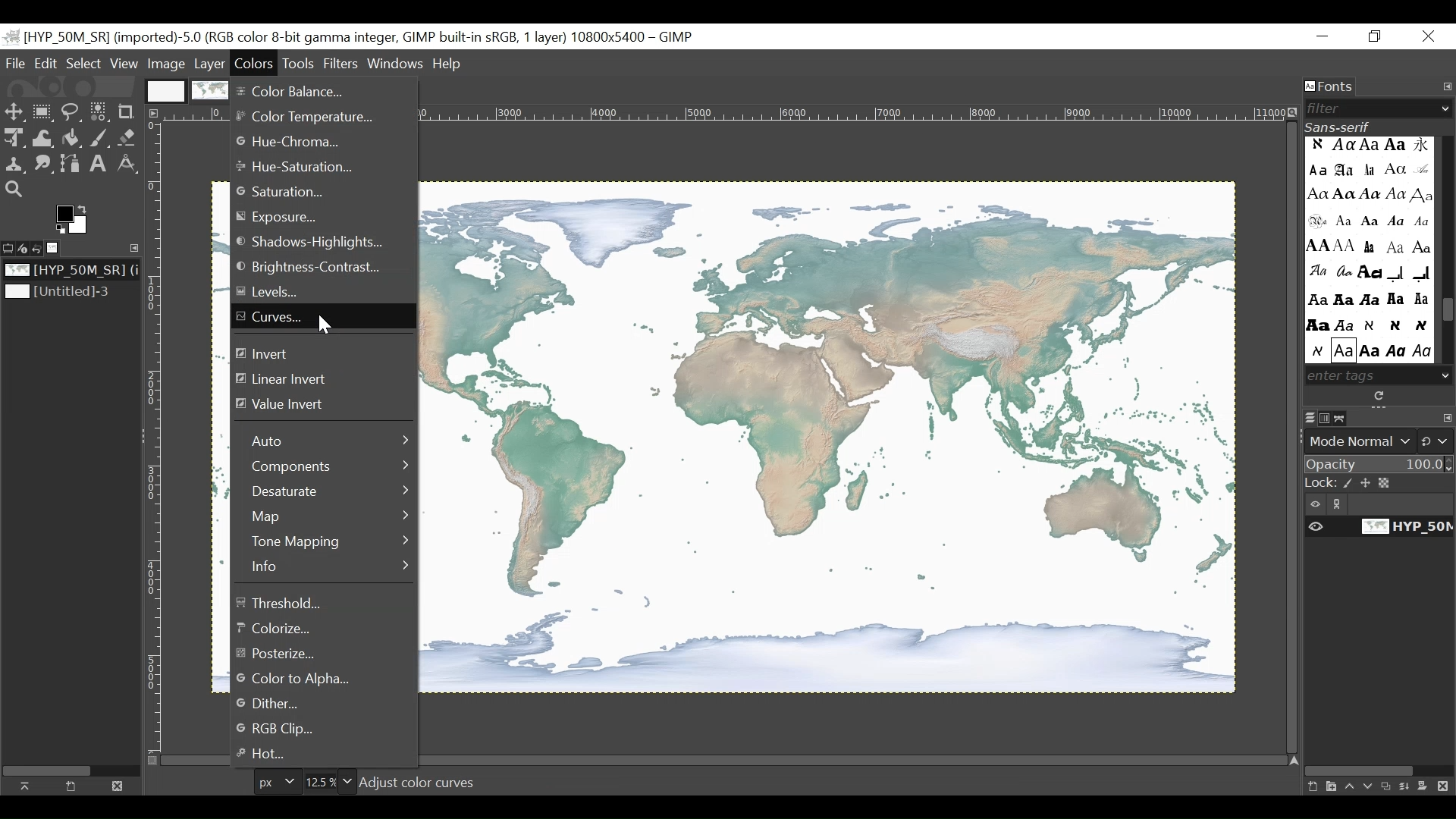  What do you see at coordinates (312, 117) in the screenshot?
I see `Color temperature` at bounding box center [312, 117].